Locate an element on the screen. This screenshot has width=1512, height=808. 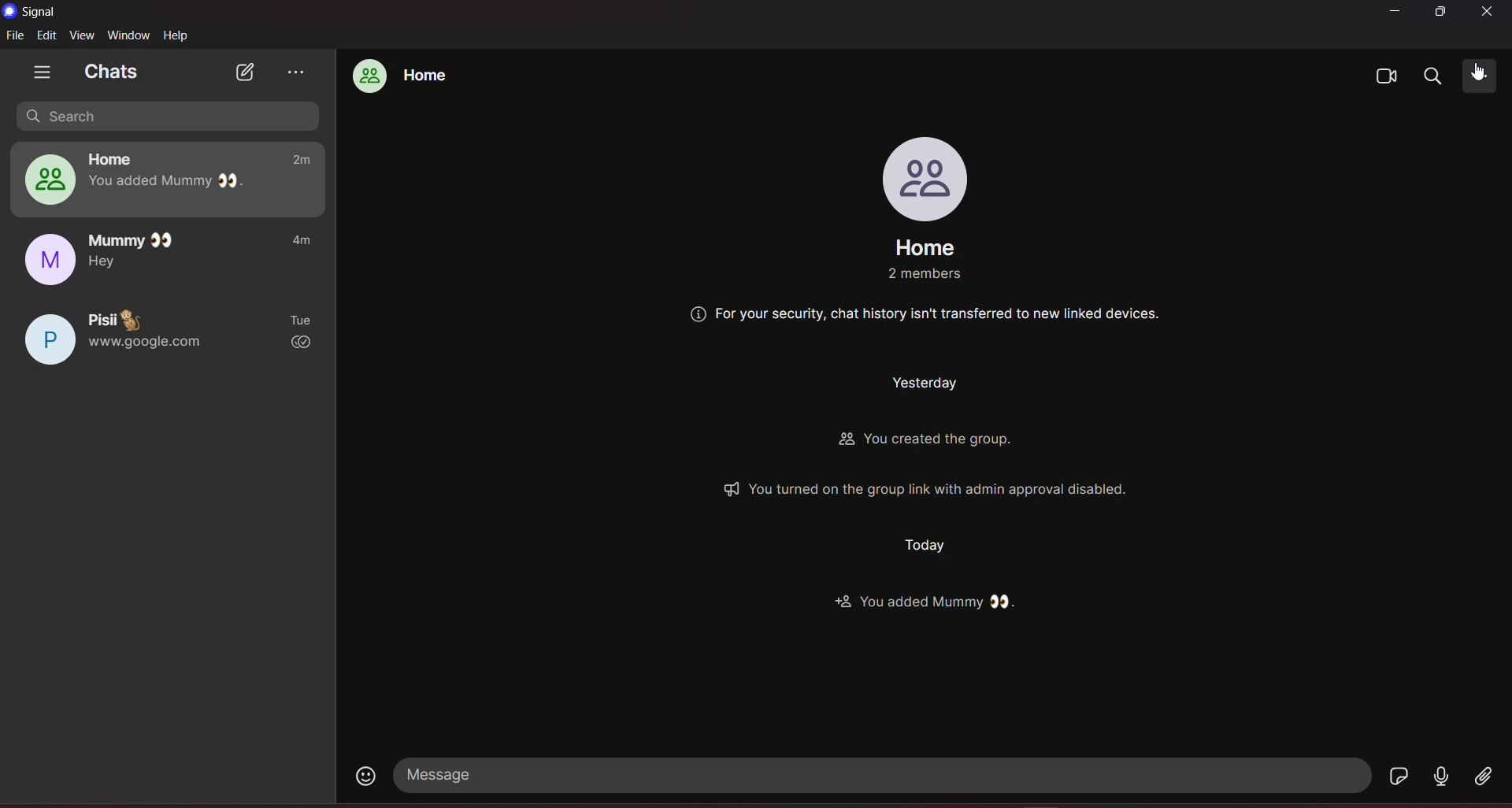
new chat is located at coordinates (246, 72).